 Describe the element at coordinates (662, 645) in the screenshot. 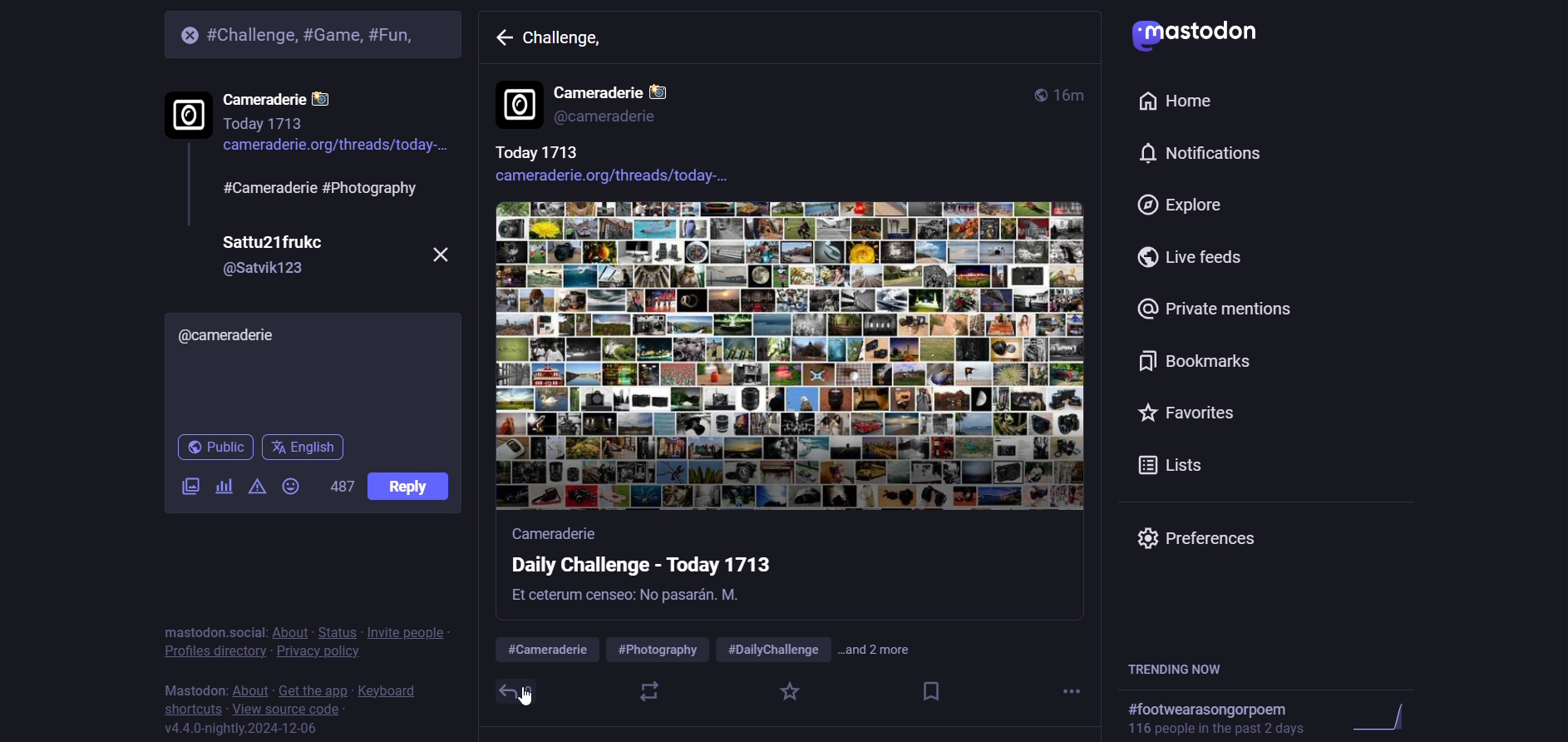

I see `#Cameraderie ~~ #Photography ~~ #DailyChallenge` at that location.